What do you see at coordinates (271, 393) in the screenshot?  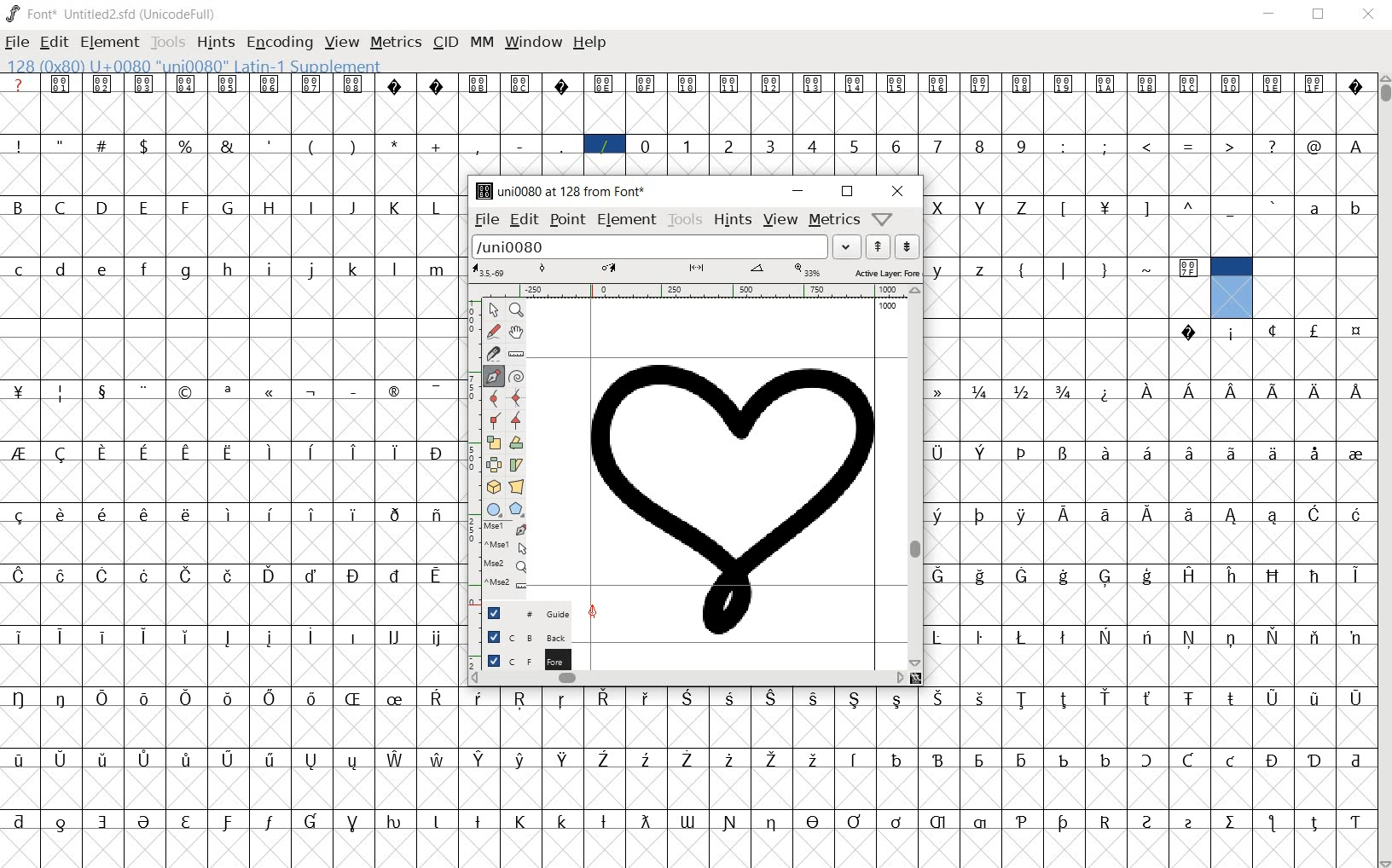 I see `glyph` at bounding box center [271, 393].